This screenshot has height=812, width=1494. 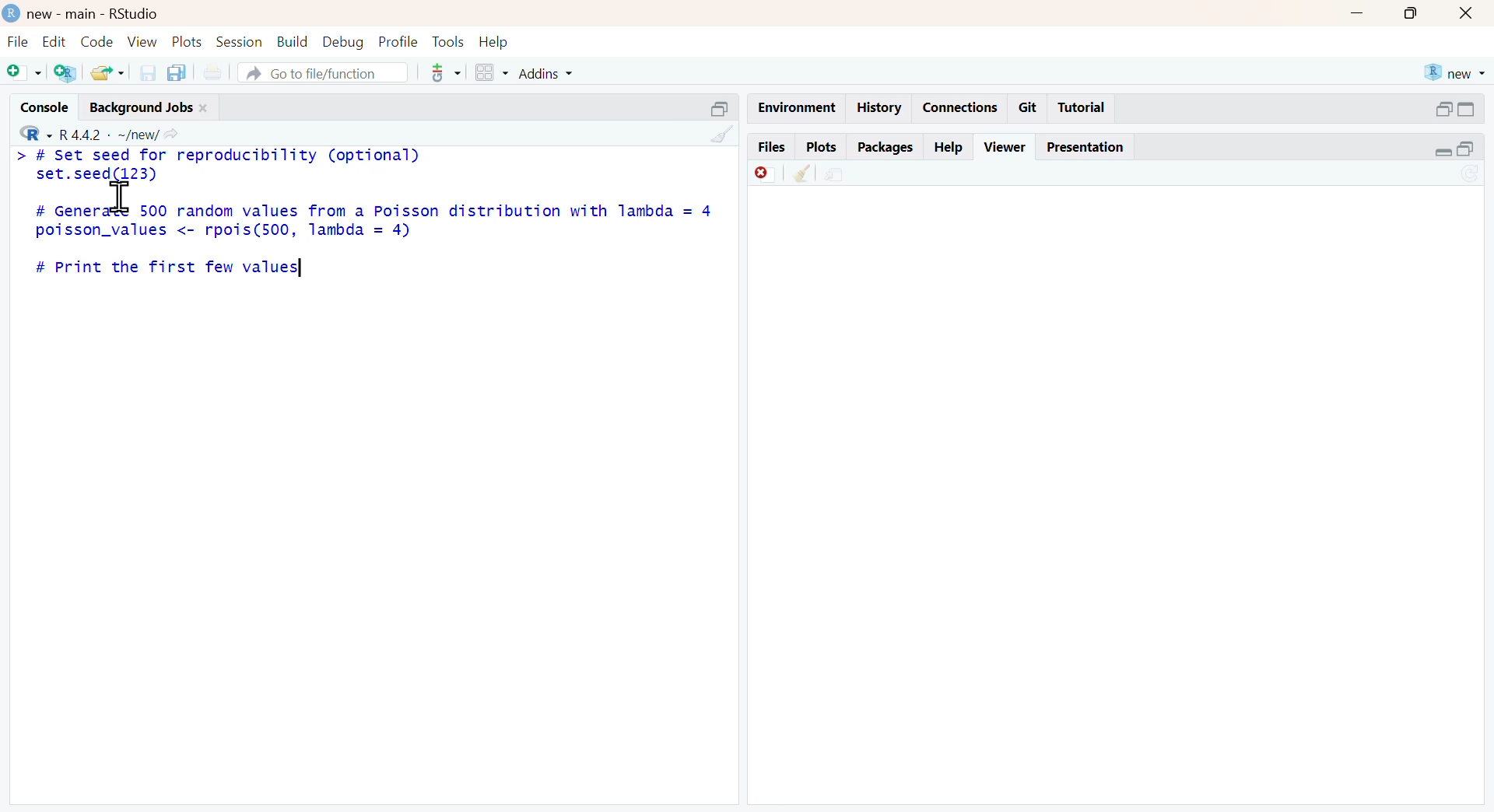 What do you see at coordinates (833, 174) in the screenshot?
I see `share` at bounding box center [833, 174].